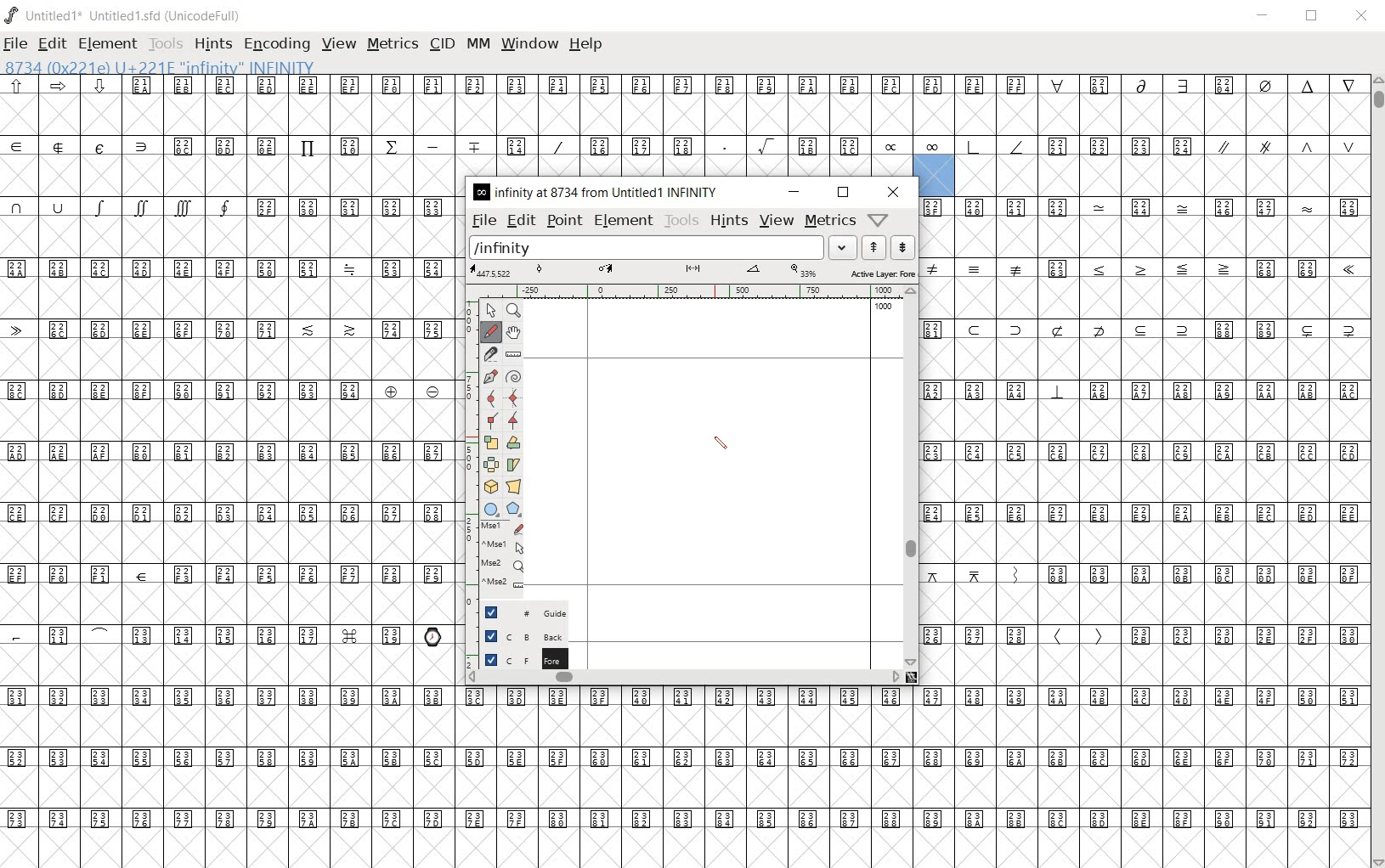 This screenshot has width=1385, height=868. I want to click on empty glyph slots, so click(231, 604).